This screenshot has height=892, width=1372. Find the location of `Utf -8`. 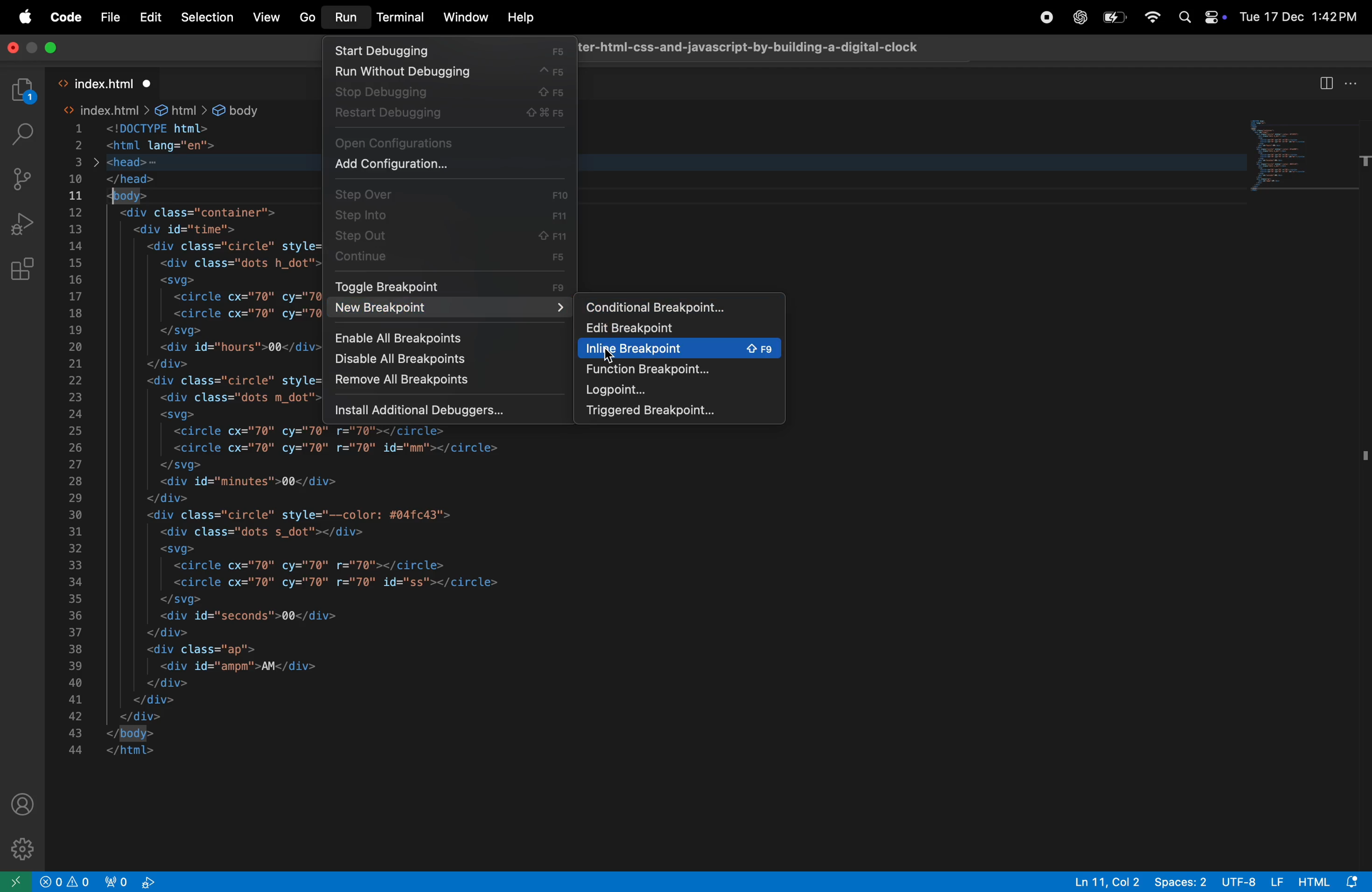

Utf -8 is located at coordinates (1254, 881).